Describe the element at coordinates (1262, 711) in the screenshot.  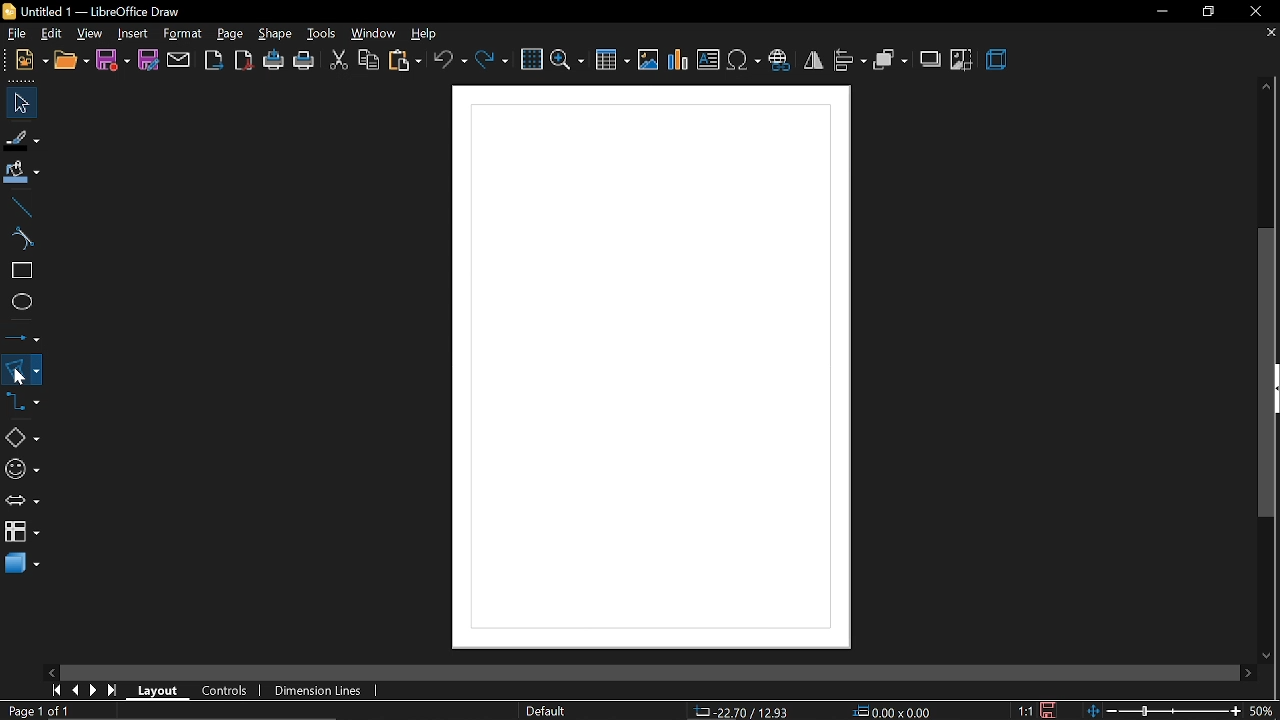
I see `current zoom` at that location.